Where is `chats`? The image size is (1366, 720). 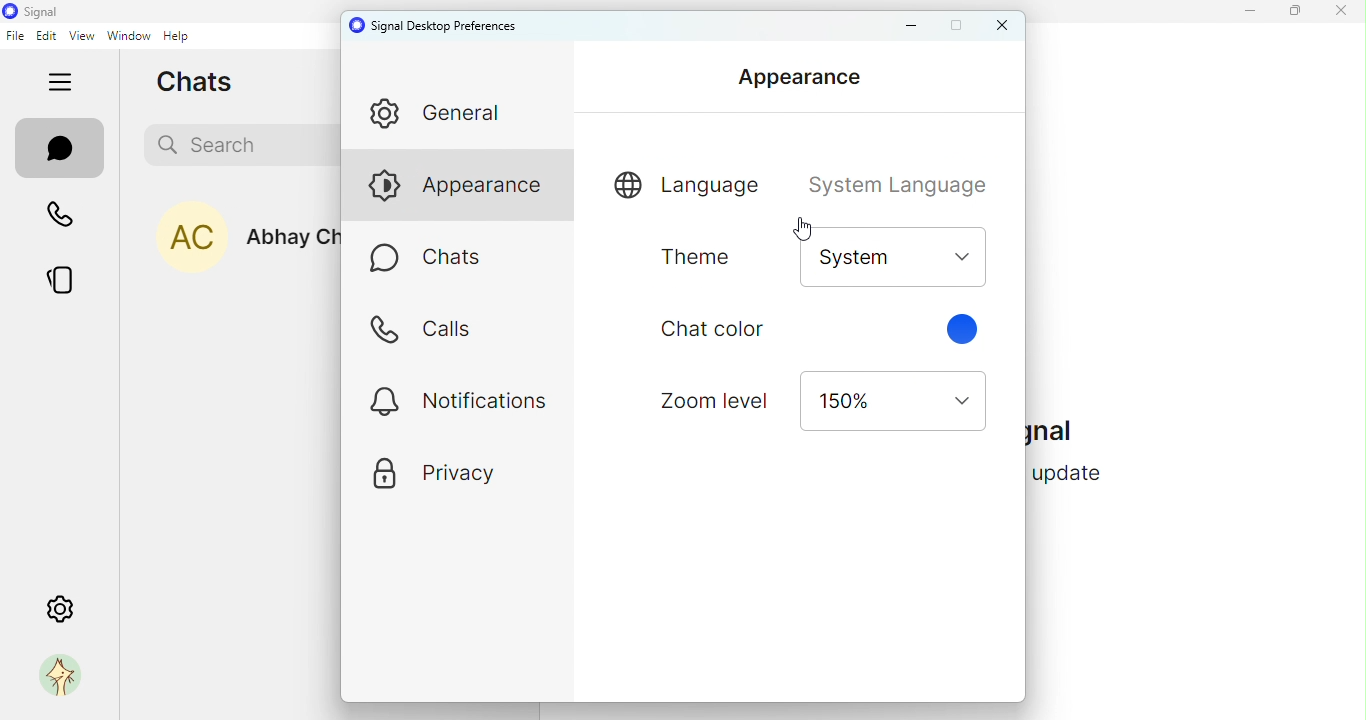
chats is located at coordinates (437, 264).